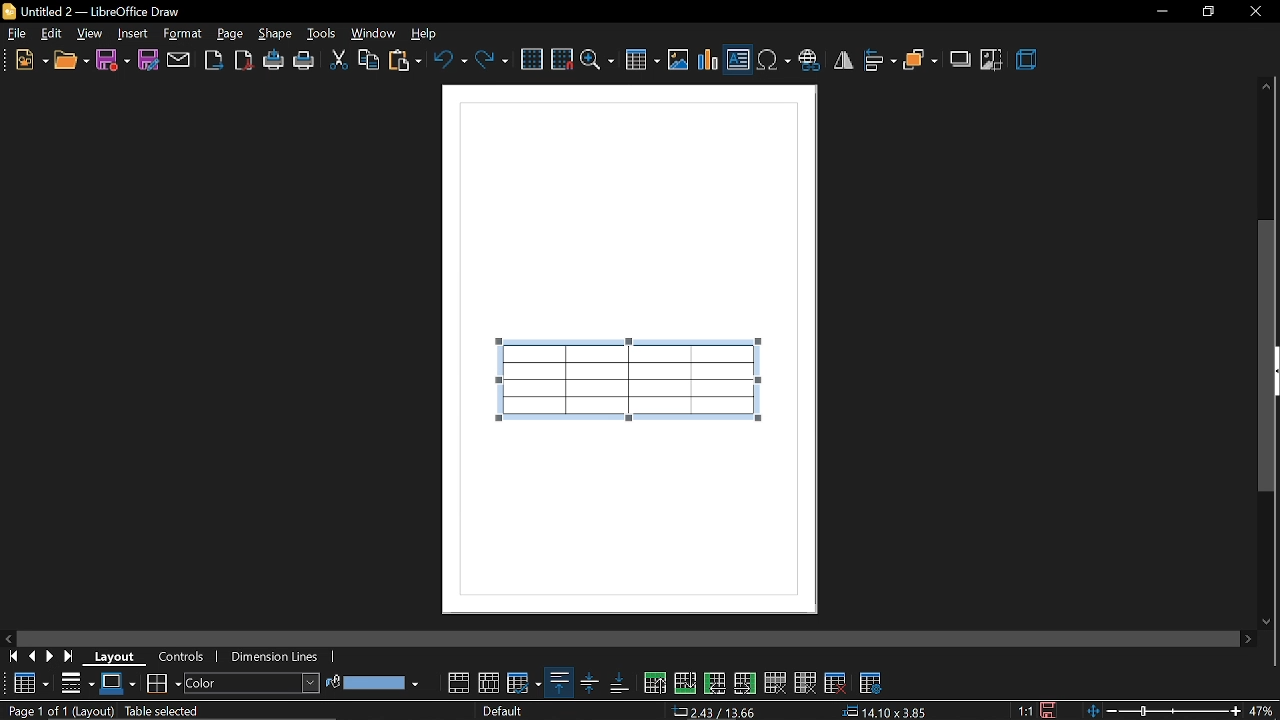 The image size is (1280, 720). I want to click on border color, so click(118, 683).